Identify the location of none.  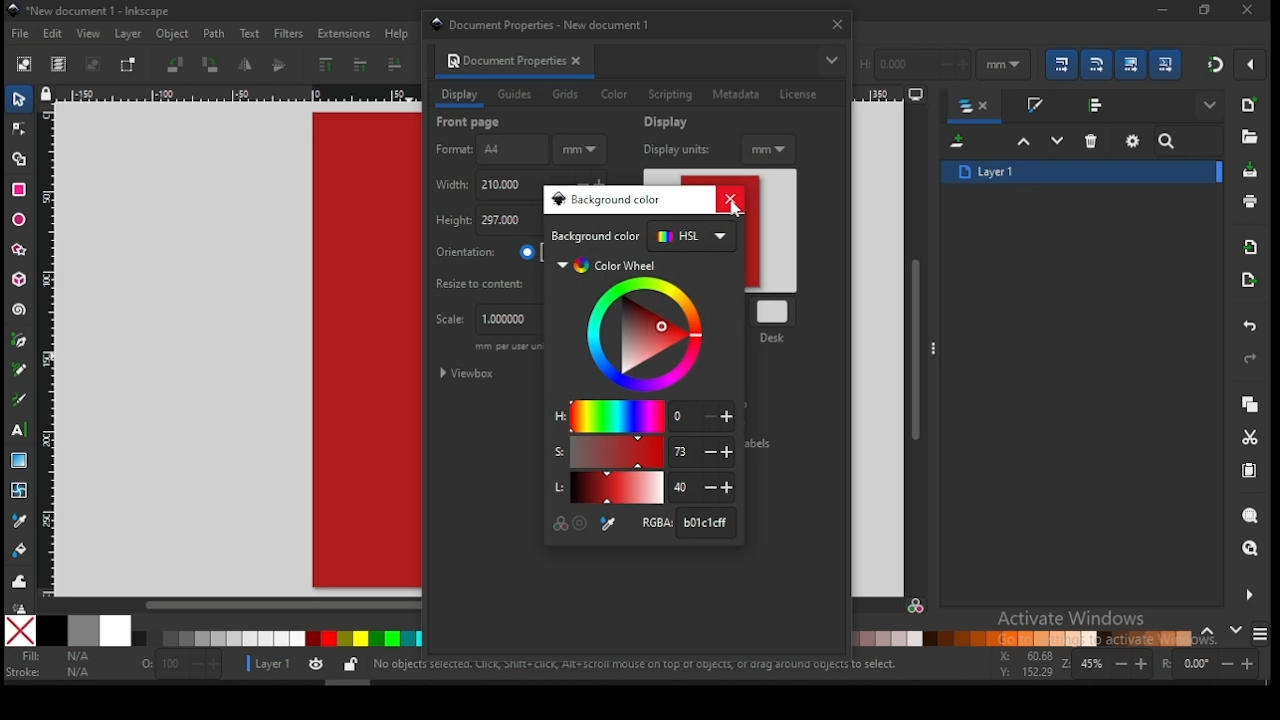
(22, 631).